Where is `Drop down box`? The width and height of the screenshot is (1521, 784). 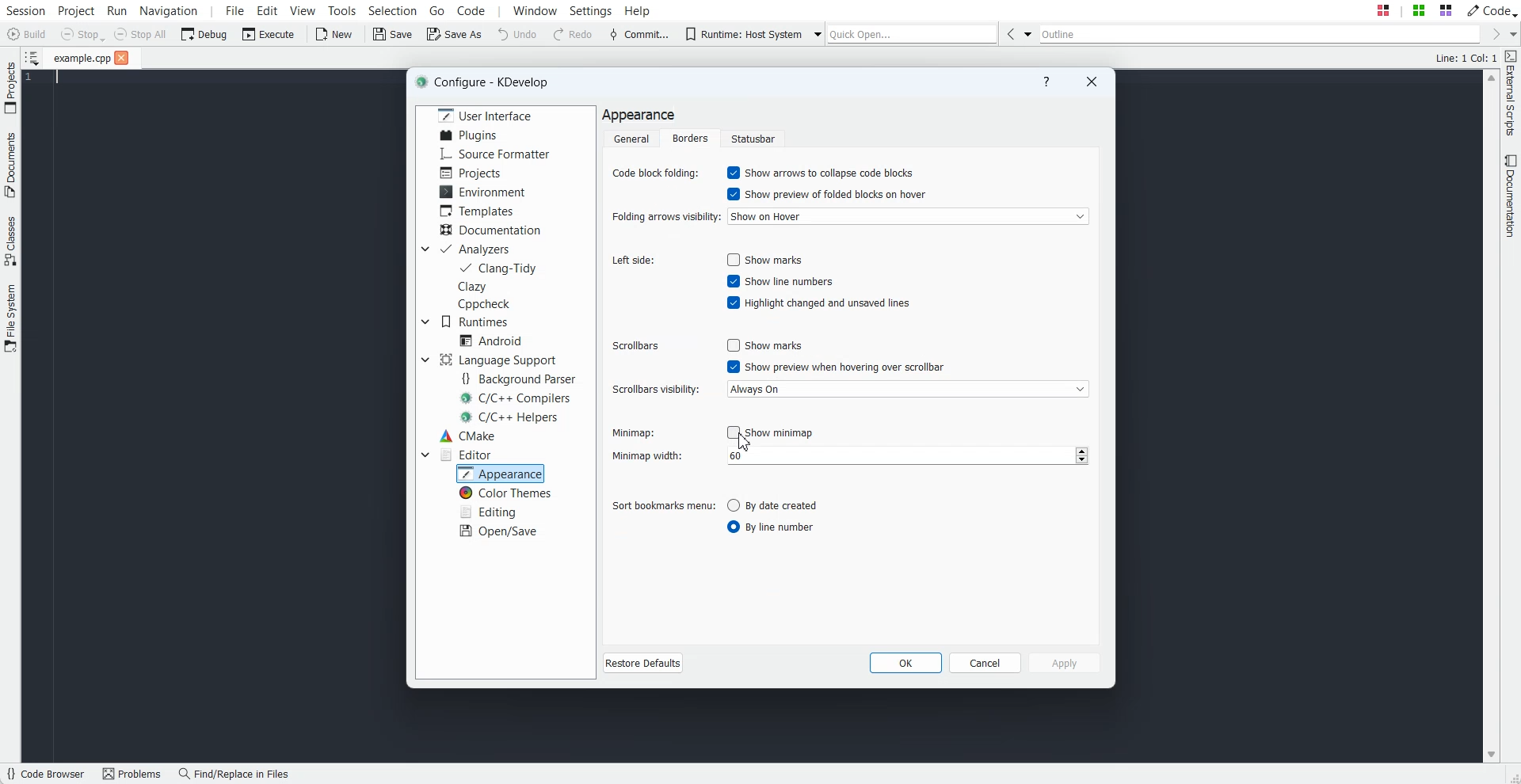
Drop down box is located at coordinates (425, 321).